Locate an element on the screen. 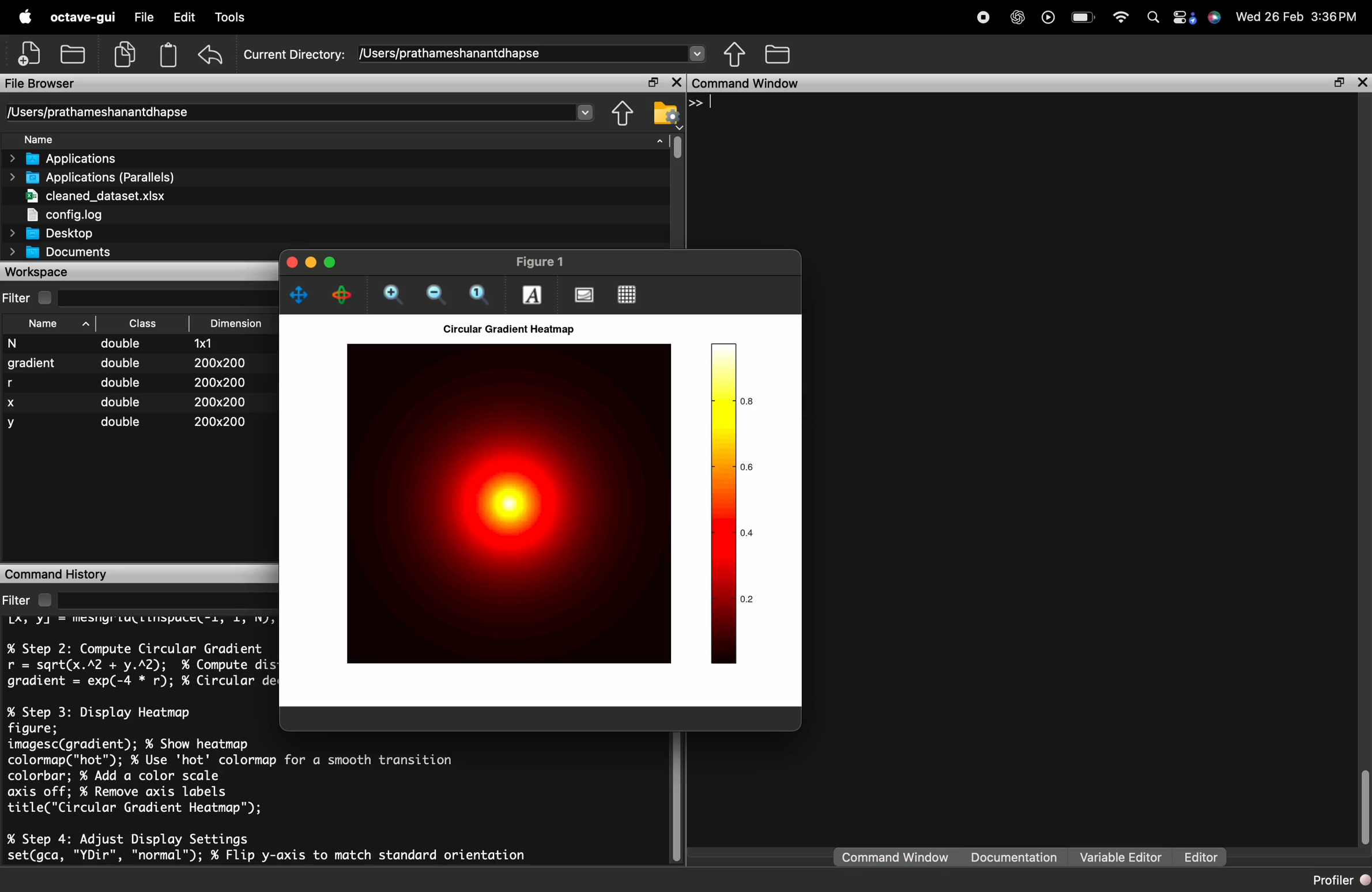 This screenshot has width=1372, height=892. gradient is located at coordinates (30, 364).